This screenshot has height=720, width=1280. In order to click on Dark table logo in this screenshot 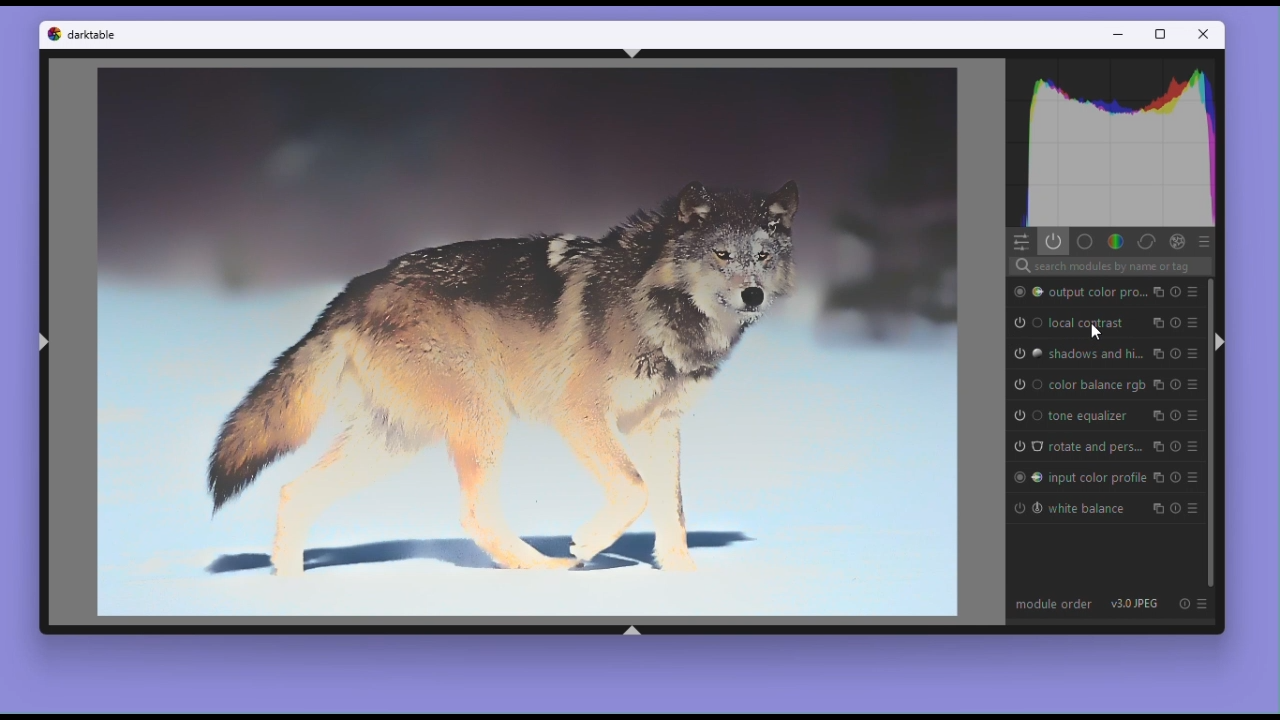, I will do `click(51, 38)`.